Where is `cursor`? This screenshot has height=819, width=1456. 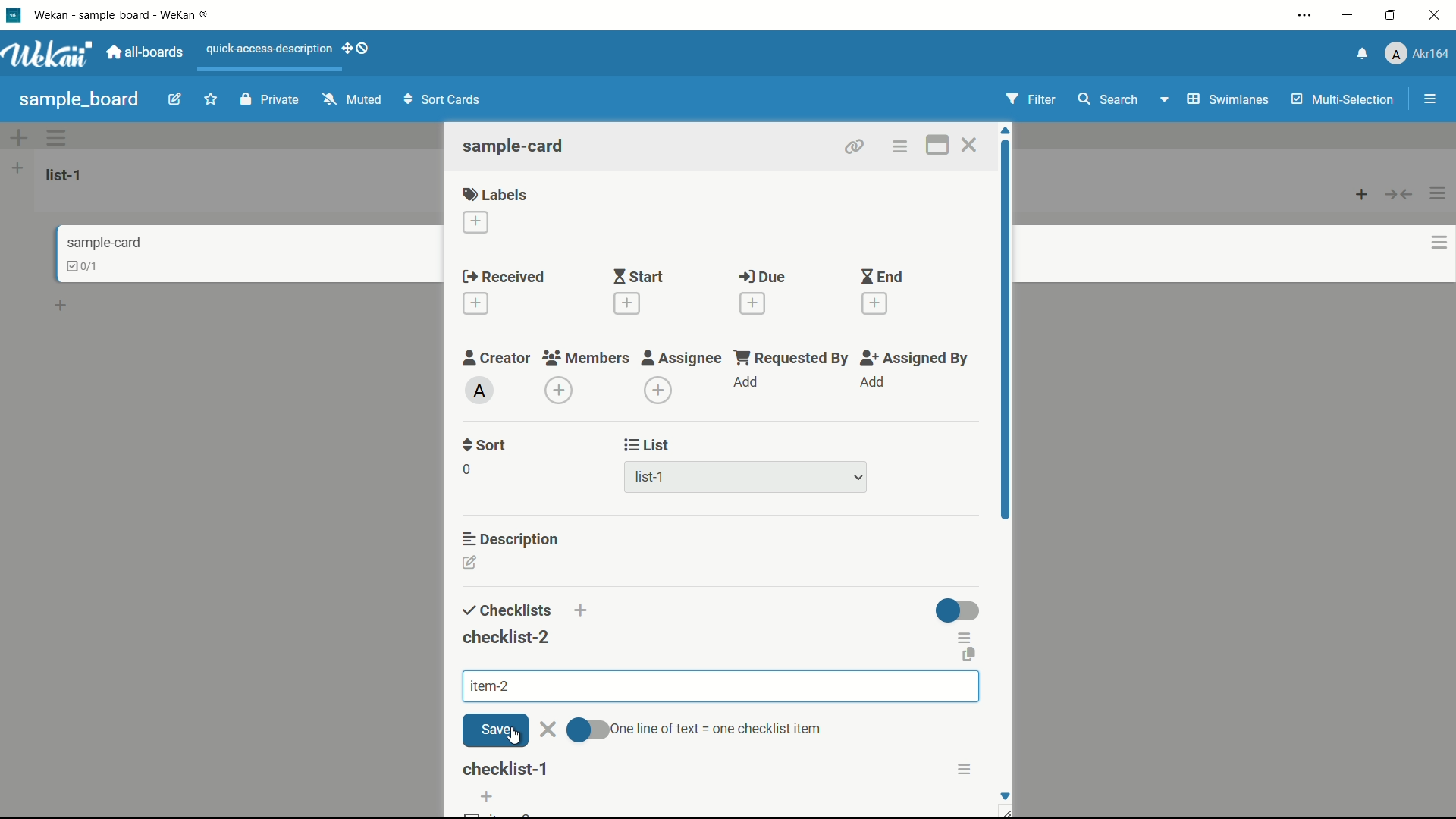
cursor is located at coordinates (513, 739).